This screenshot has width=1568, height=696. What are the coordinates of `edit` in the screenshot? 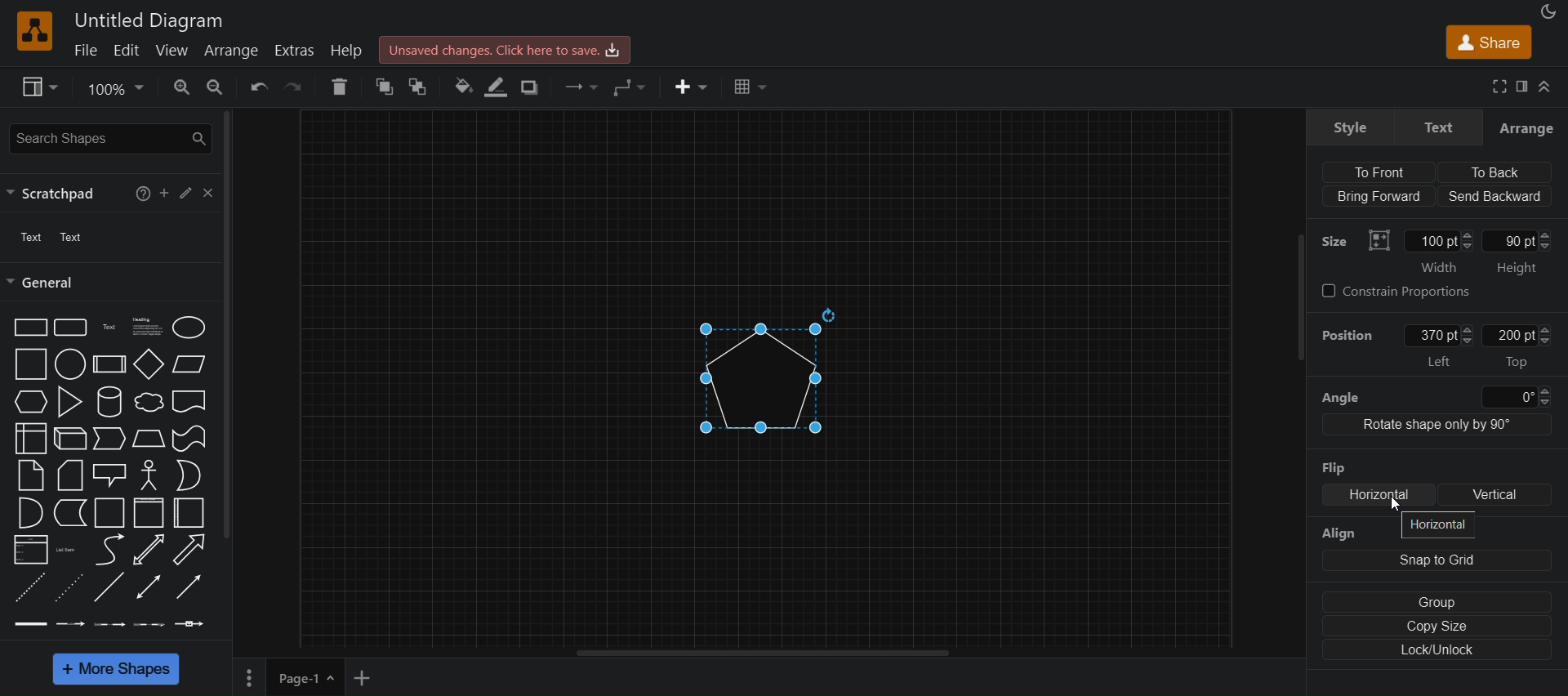 It's located at (130, 49).